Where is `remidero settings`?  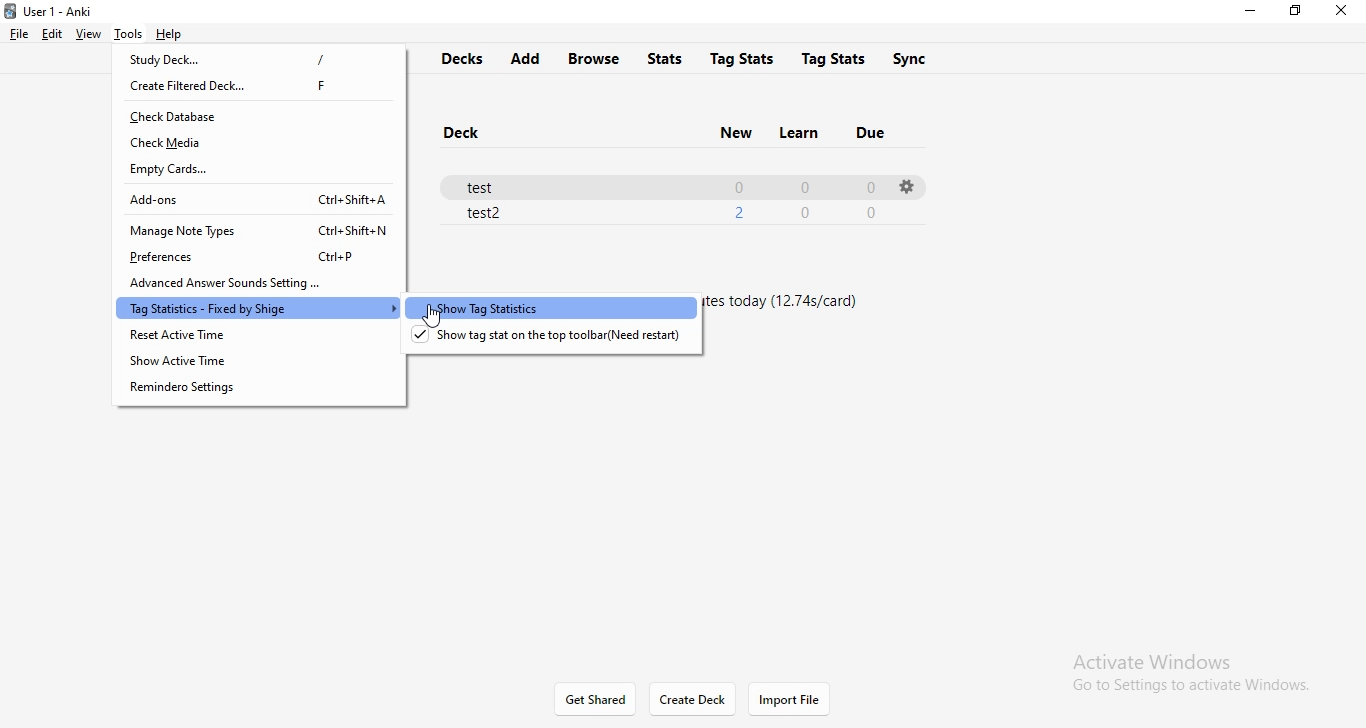
remidero settings is located at coordinates (267, 392).